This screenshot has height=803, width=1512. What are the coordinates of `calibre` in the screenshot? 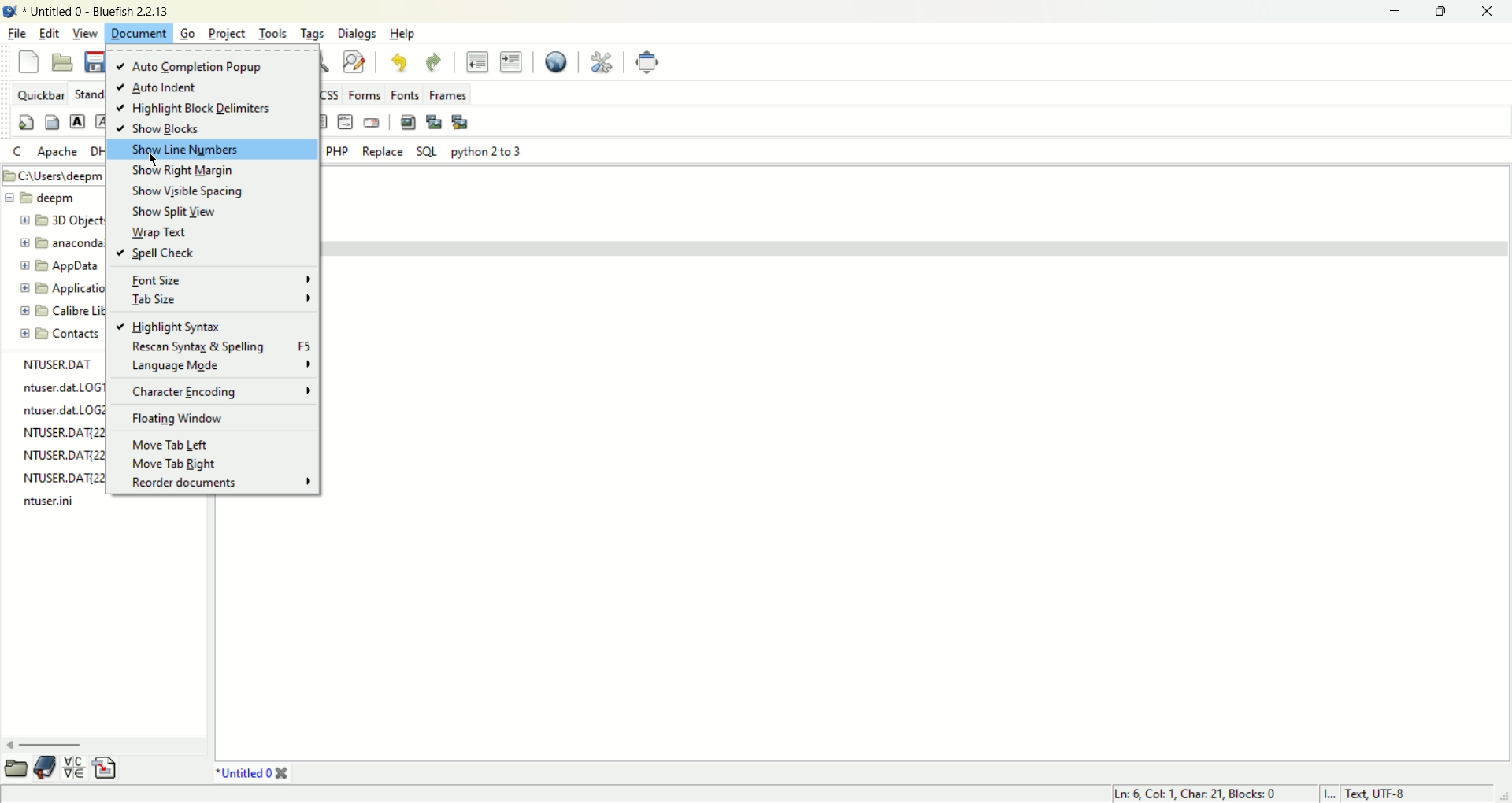 It's located at (57, 311).